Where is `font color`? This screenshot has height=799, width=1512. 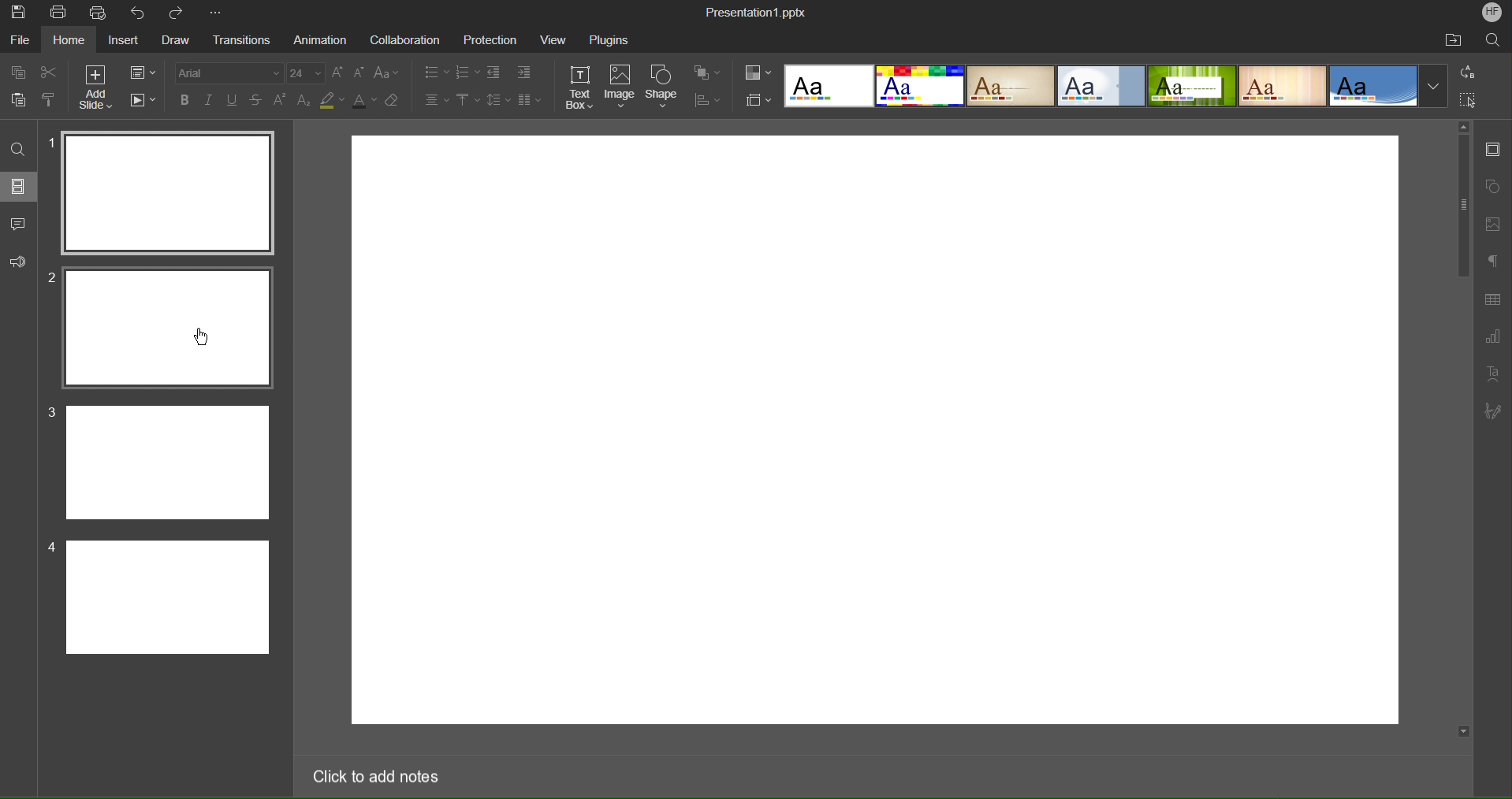 font color is located at coordinates (365, 102).